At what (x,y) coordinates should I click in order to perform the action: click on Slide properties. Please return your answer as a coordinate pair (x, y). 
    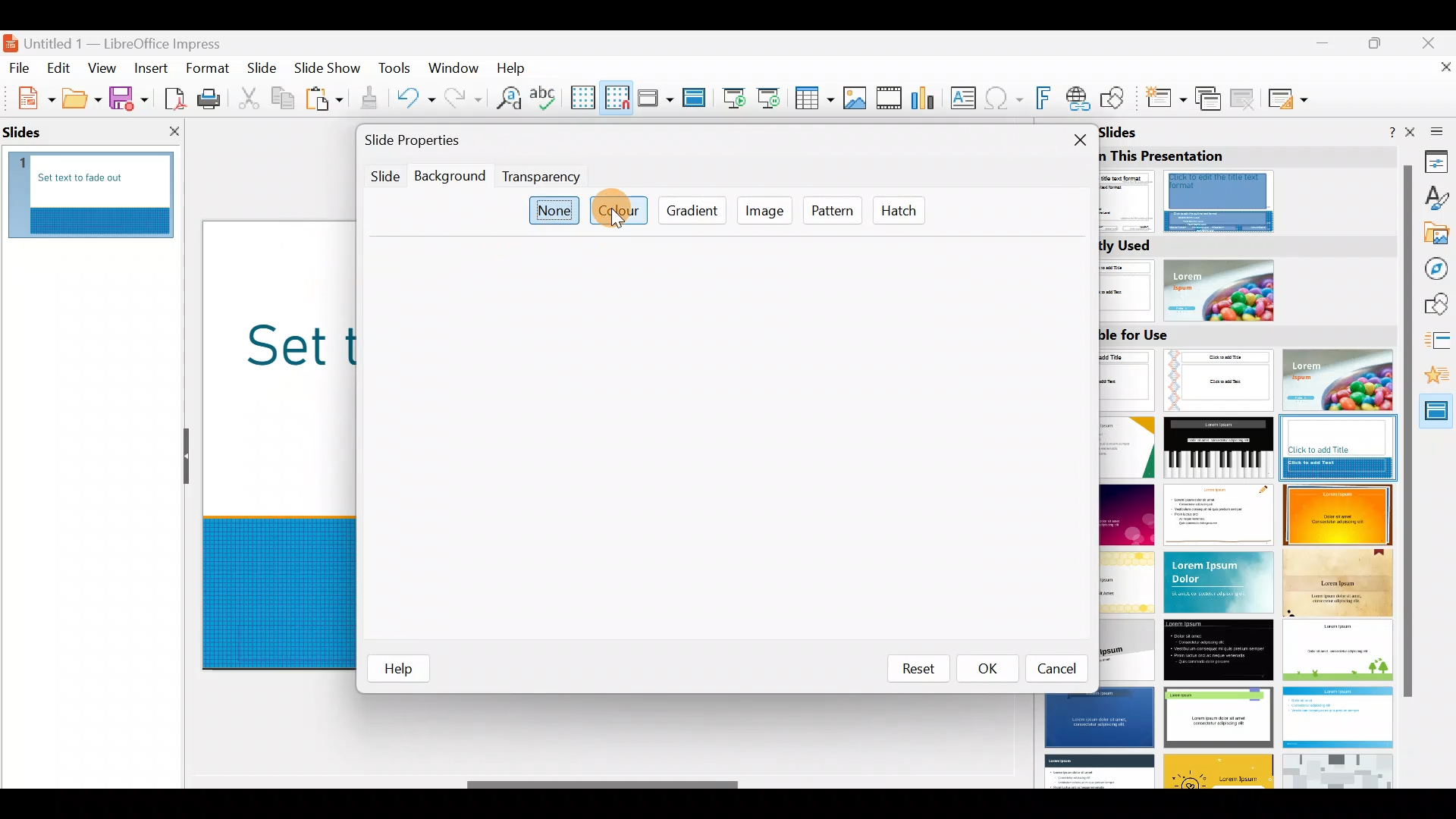
    Looking at the image, I should click on (438, 142).